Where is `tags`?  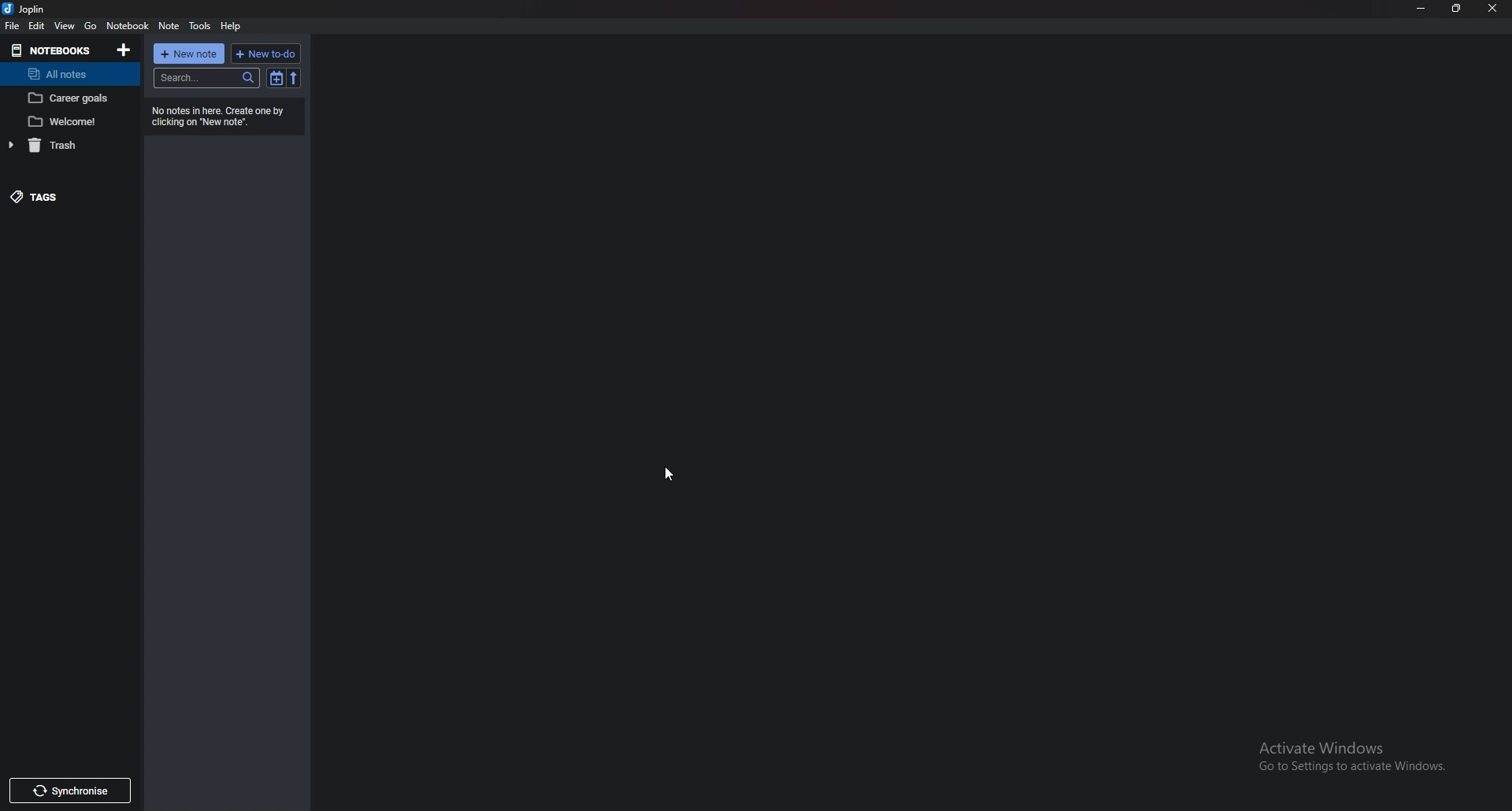 tags is located at coordinates (52, 196).